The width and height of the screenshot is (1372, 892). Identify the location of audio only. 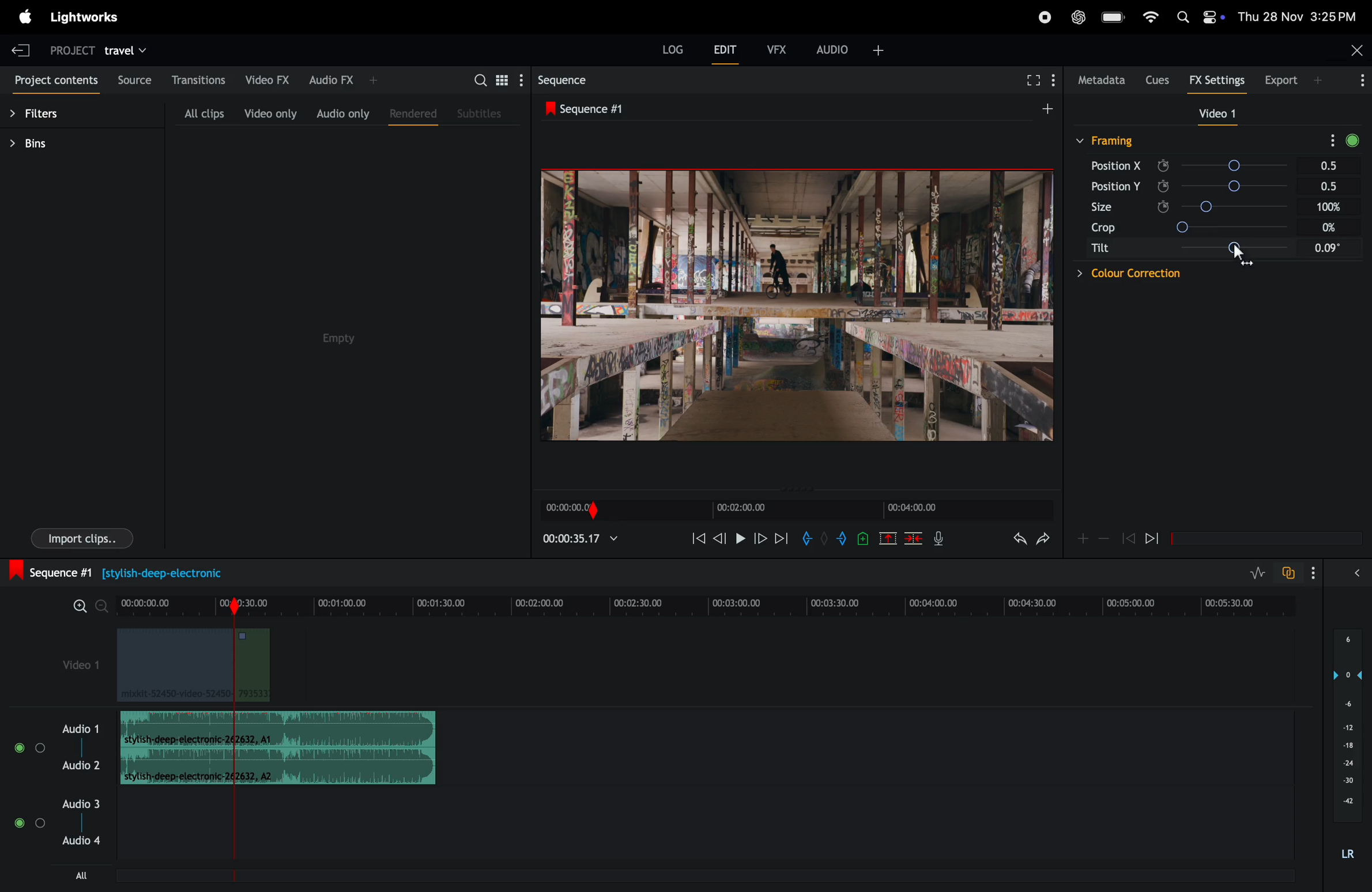
(340, 113).